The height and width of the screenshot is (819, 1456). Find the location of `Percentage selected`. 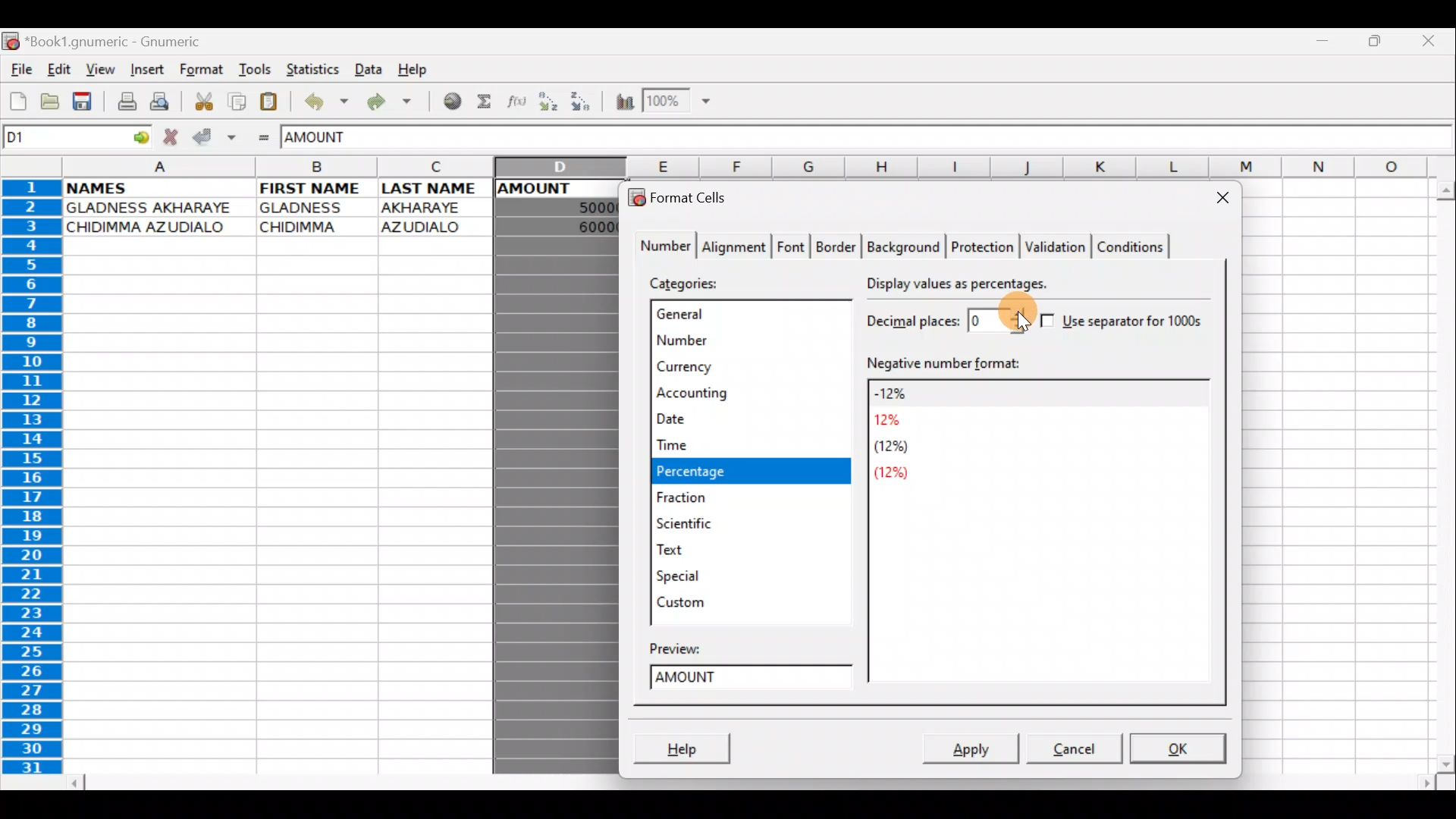

Percentage selected is located at coordinates (747, 472).